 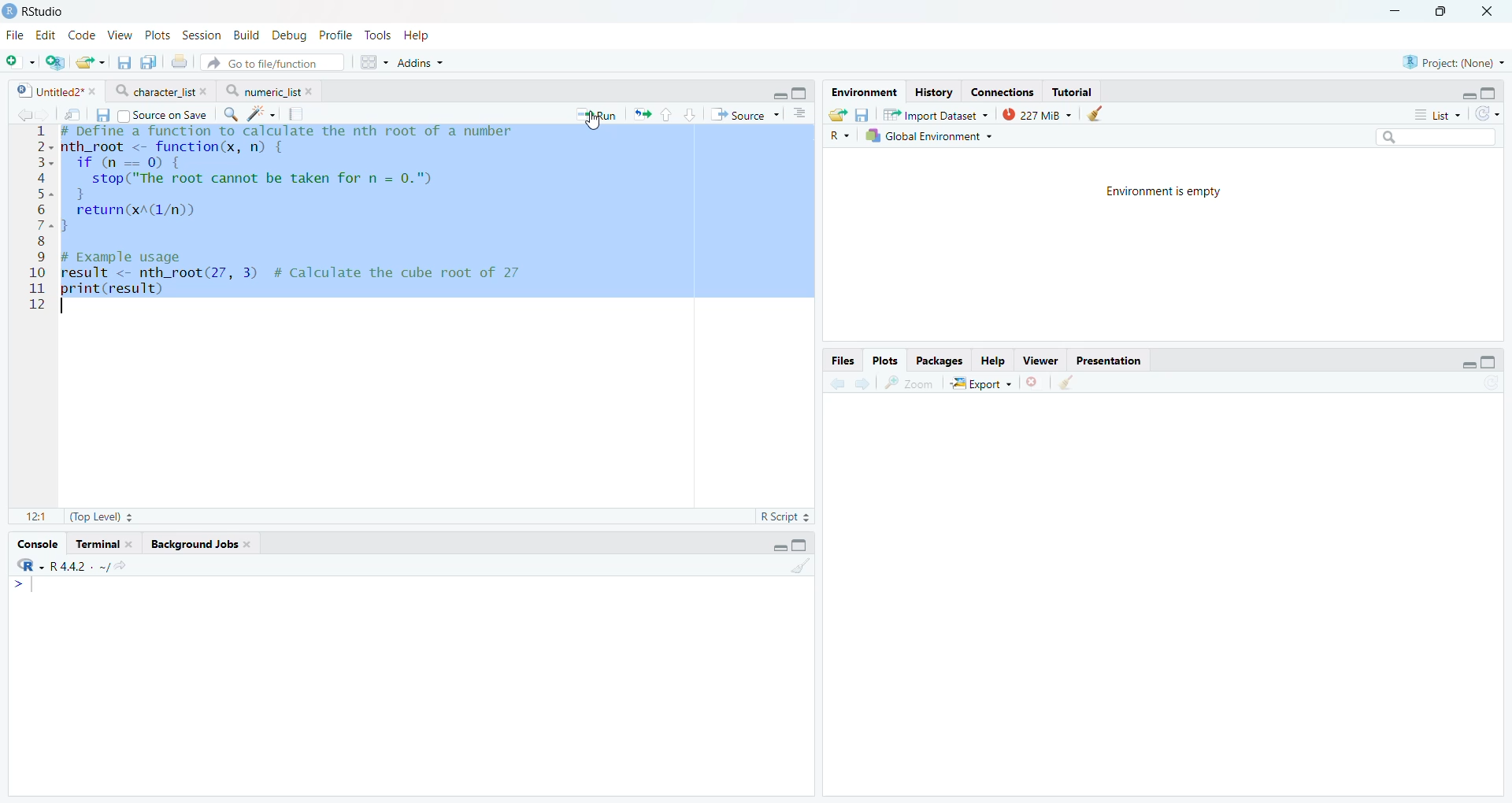 I want to click on Go to previous plot, so click(x=836, y=382).